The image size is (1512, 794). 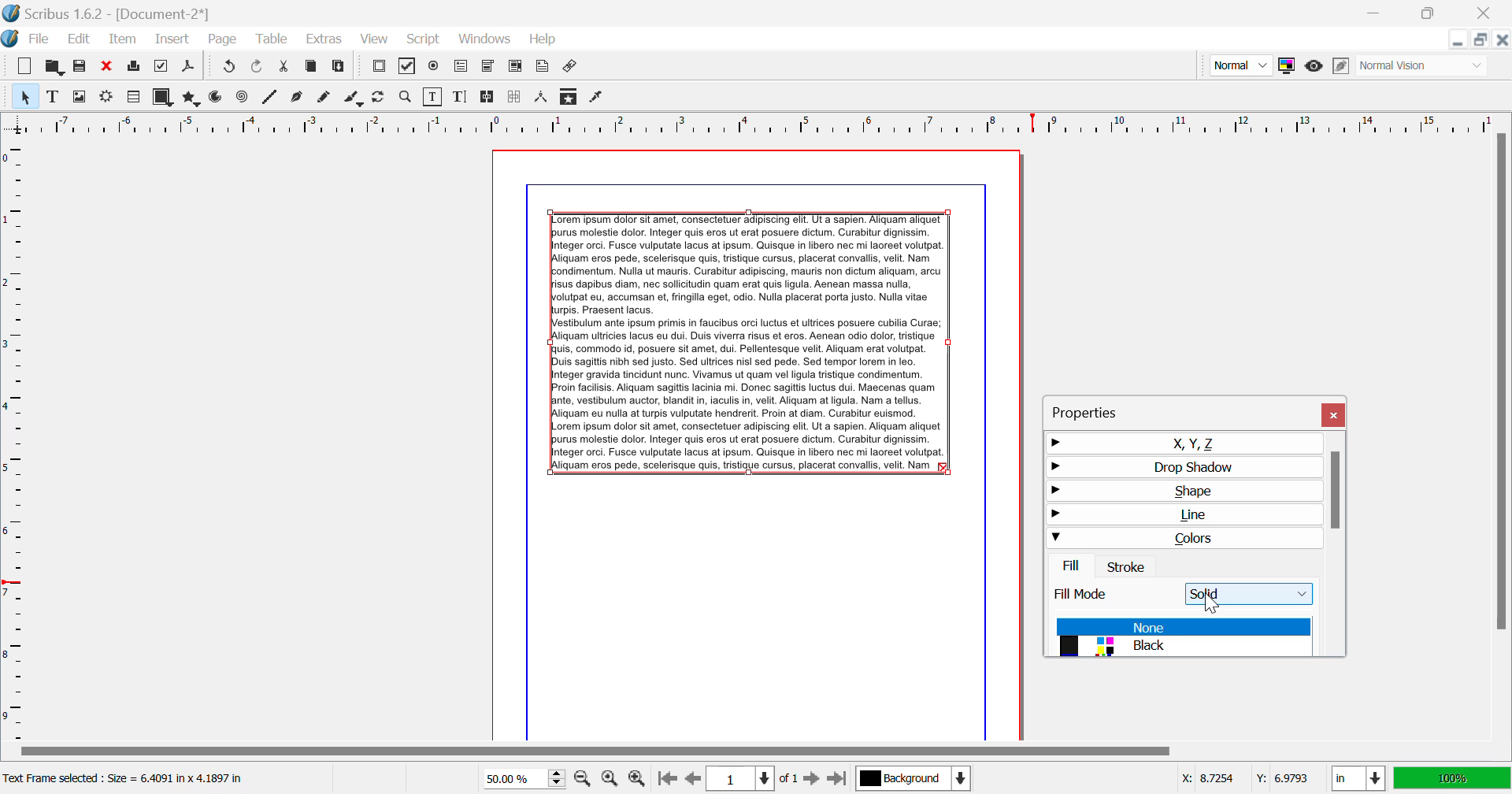 I want to click on Properties, so click(x=1102, y=410).